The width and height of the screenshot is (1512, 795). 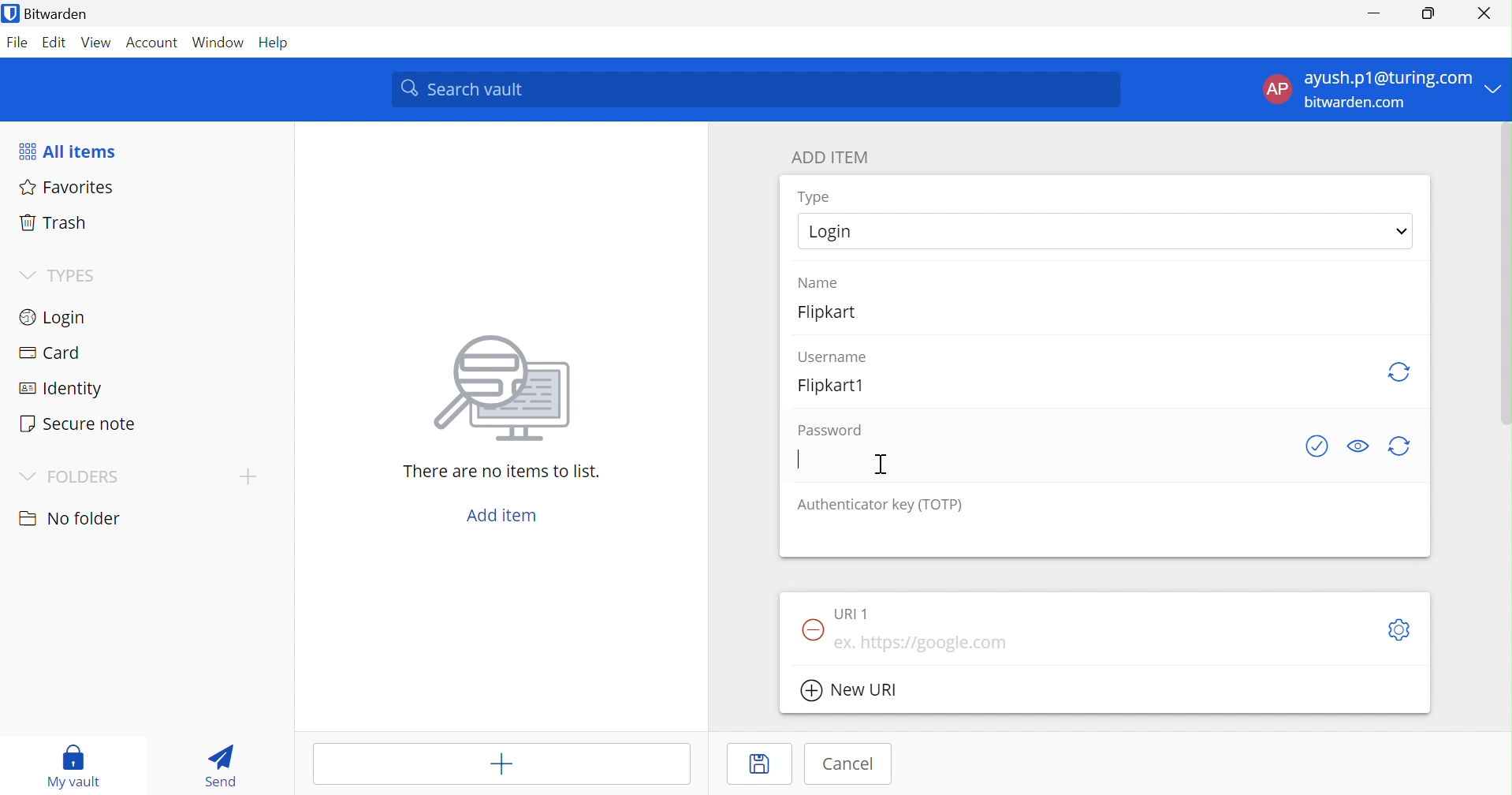 I want to click on Login, so click(x=56, y=319).